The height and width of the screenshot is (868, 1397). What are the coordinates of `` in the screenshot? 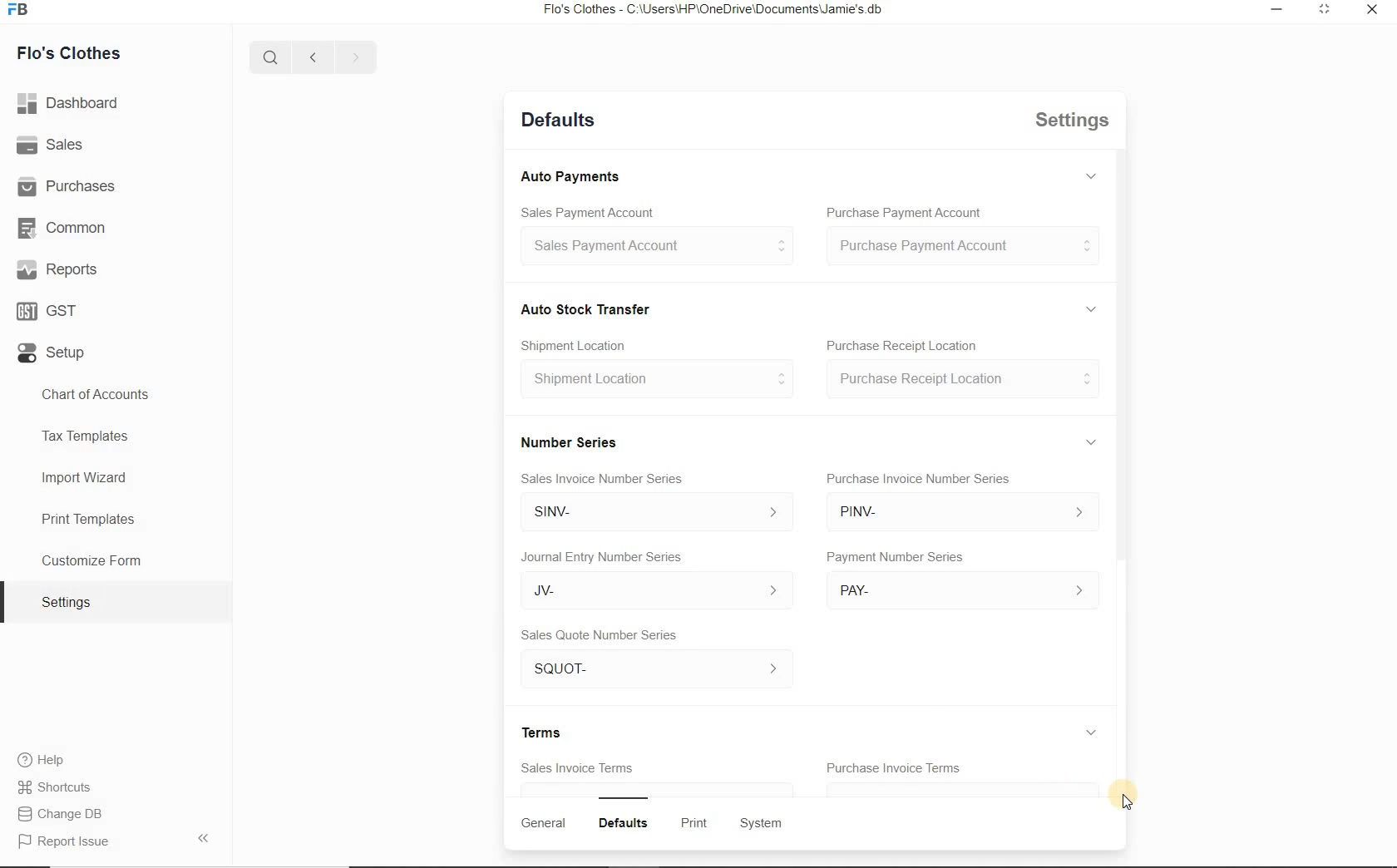 It's located at (779, 376).